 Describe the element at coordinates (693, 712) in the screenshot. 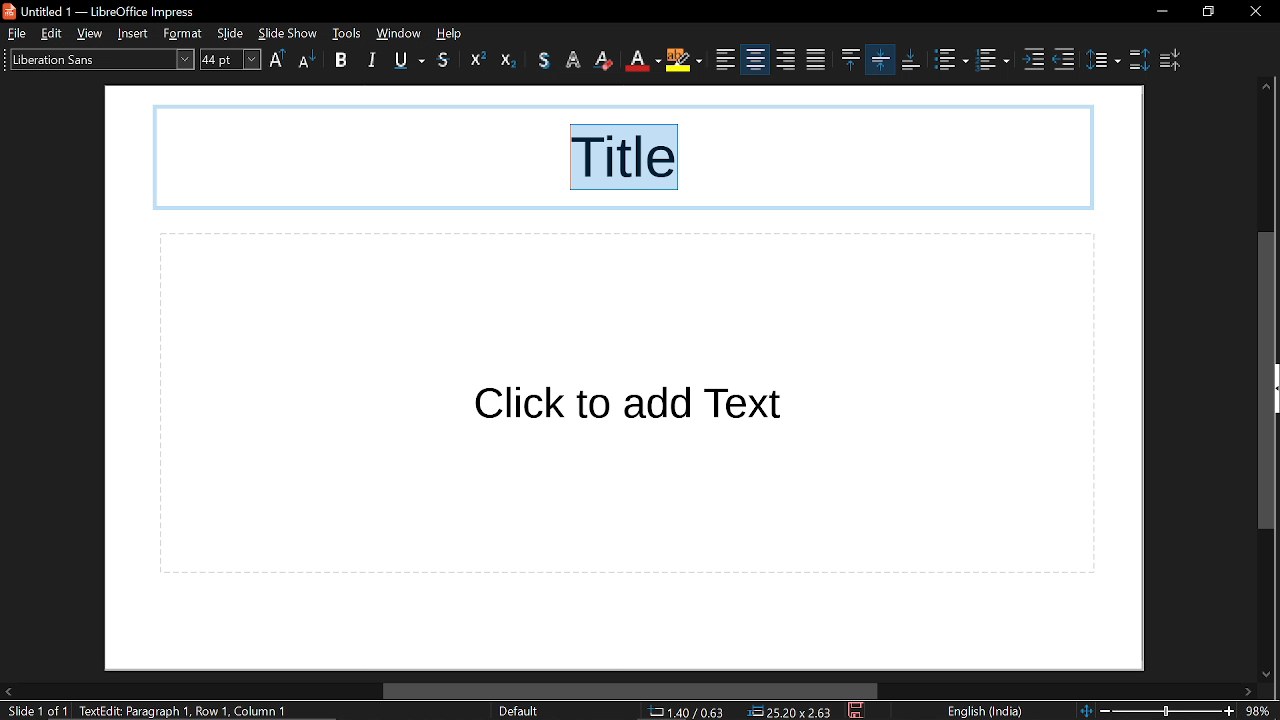

I see `cursor co-ordinate` at that location.